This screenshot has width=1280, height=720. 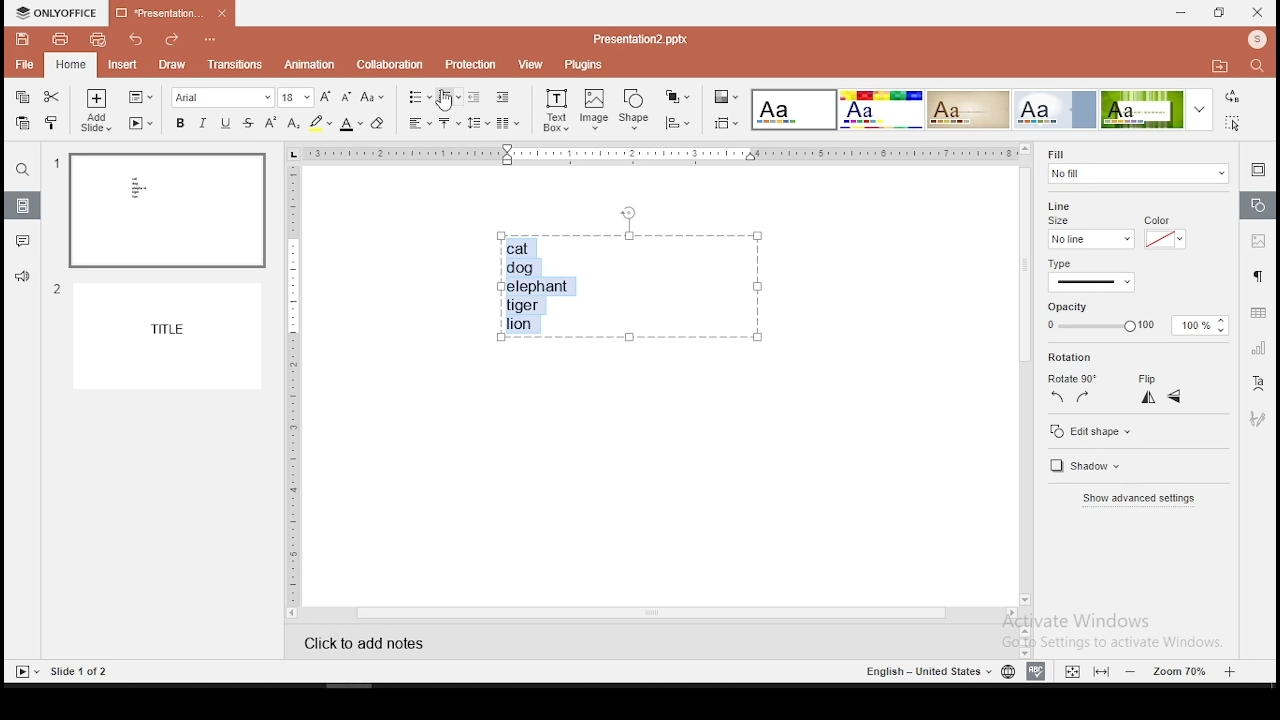 What do you see at coordinates (58, 13) in the screenshot?
I see `icon` at bounding box center [58, 13].